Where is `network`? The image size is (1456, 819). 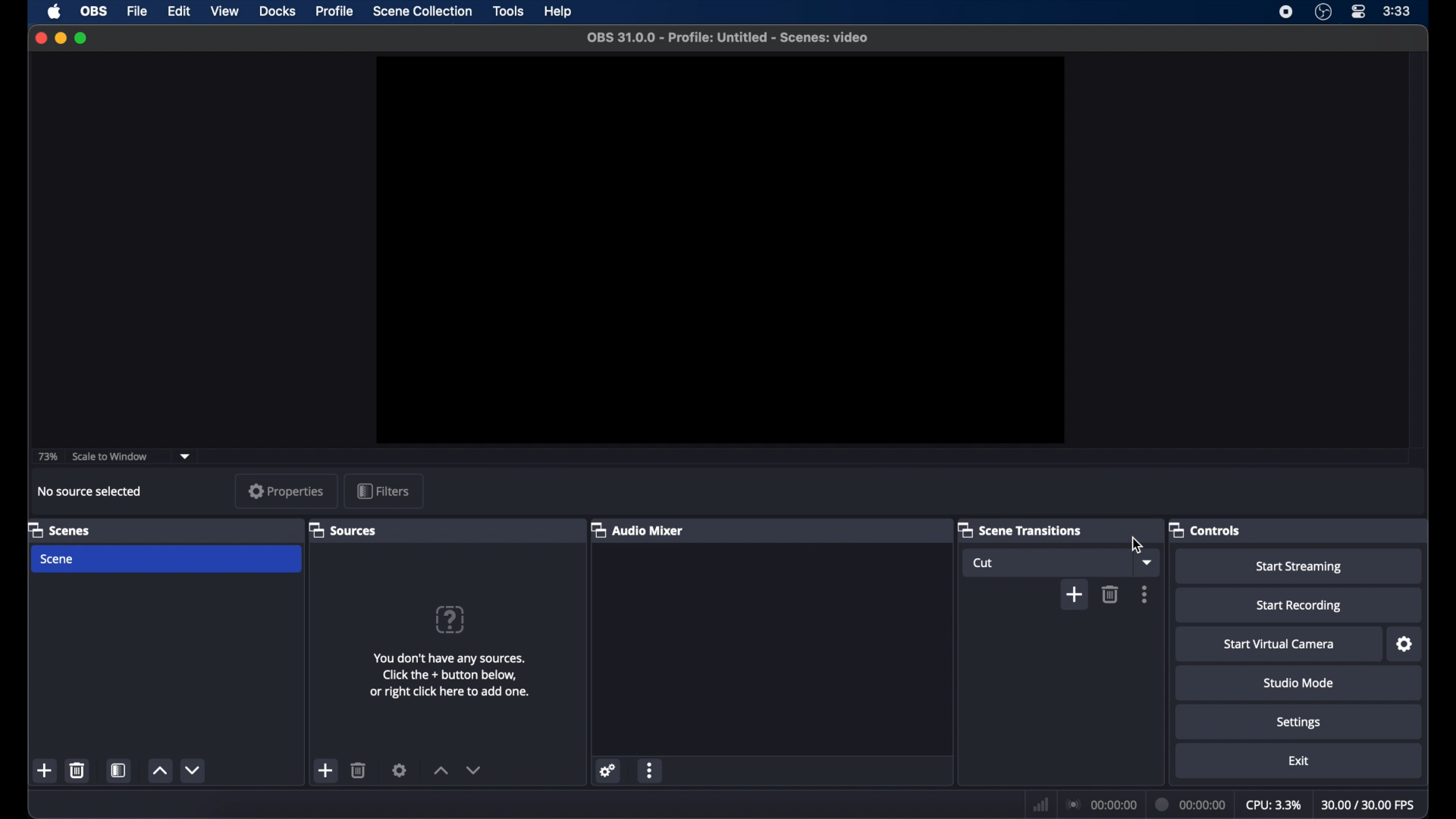
network is located at coordinates (1041, 805).